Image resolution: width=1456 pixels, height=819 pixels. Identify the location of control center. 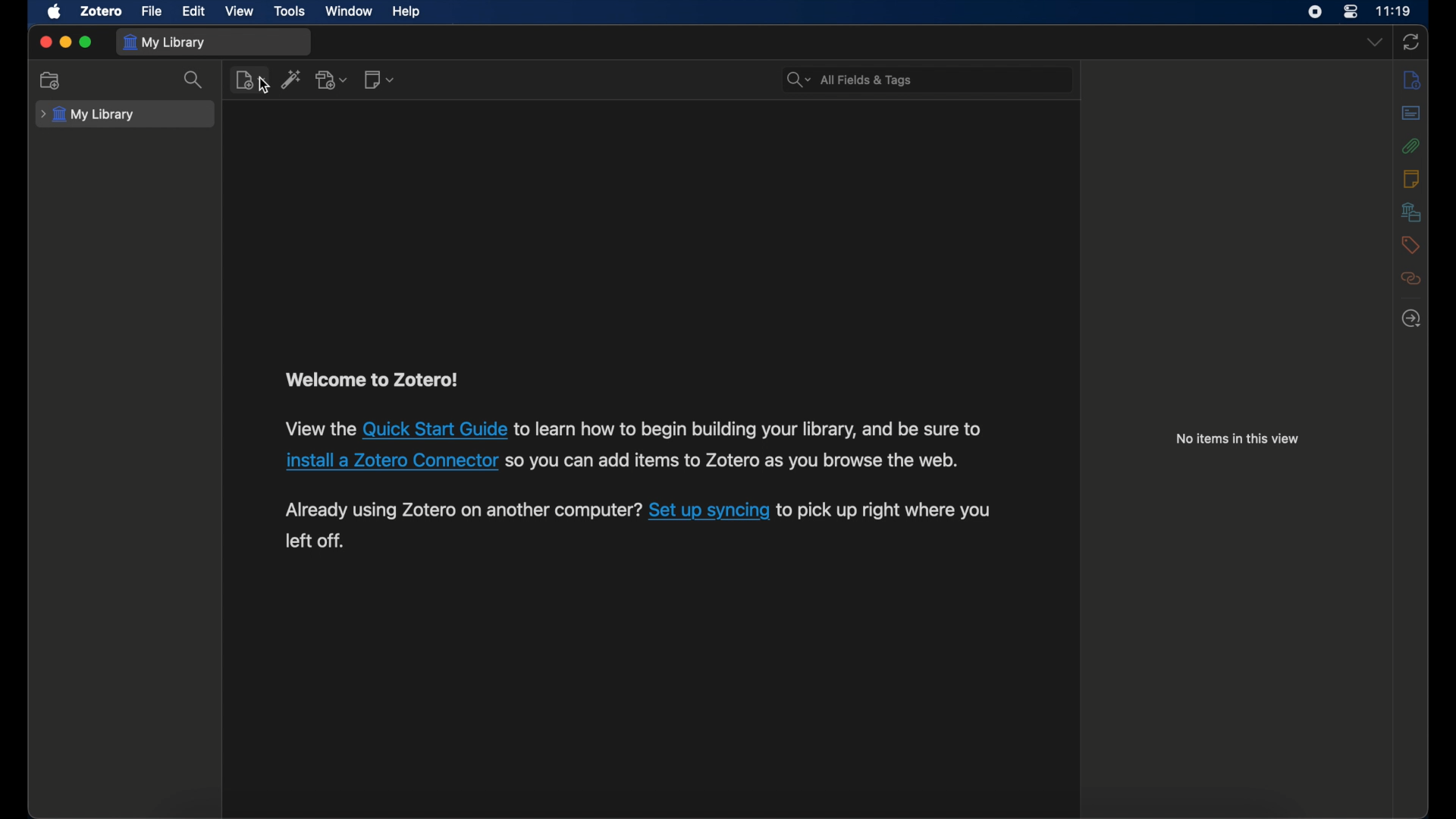
(1350, 11).